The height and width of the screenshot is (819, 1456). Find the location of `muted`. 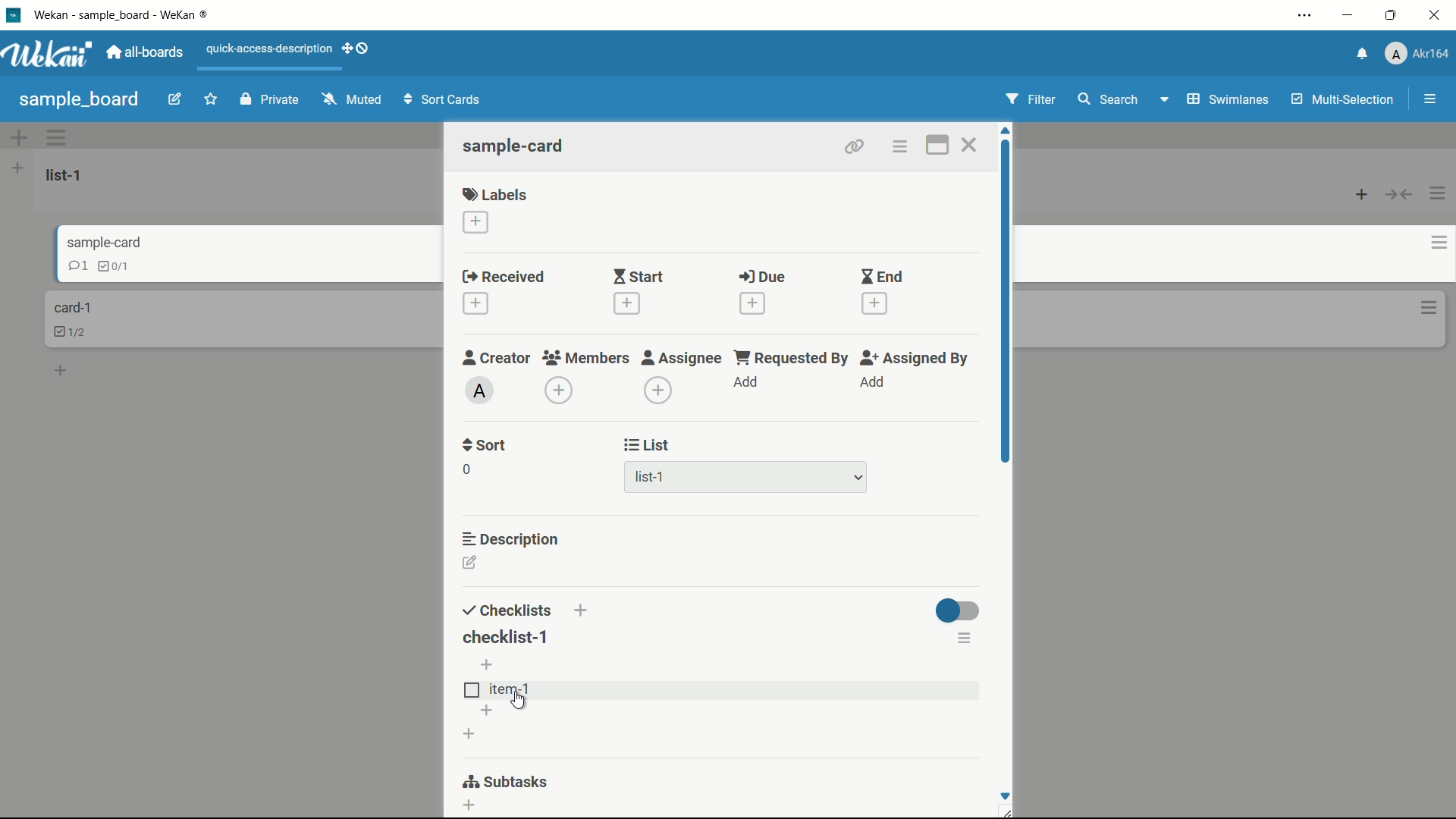

muted is located at coordinates (353, 99).